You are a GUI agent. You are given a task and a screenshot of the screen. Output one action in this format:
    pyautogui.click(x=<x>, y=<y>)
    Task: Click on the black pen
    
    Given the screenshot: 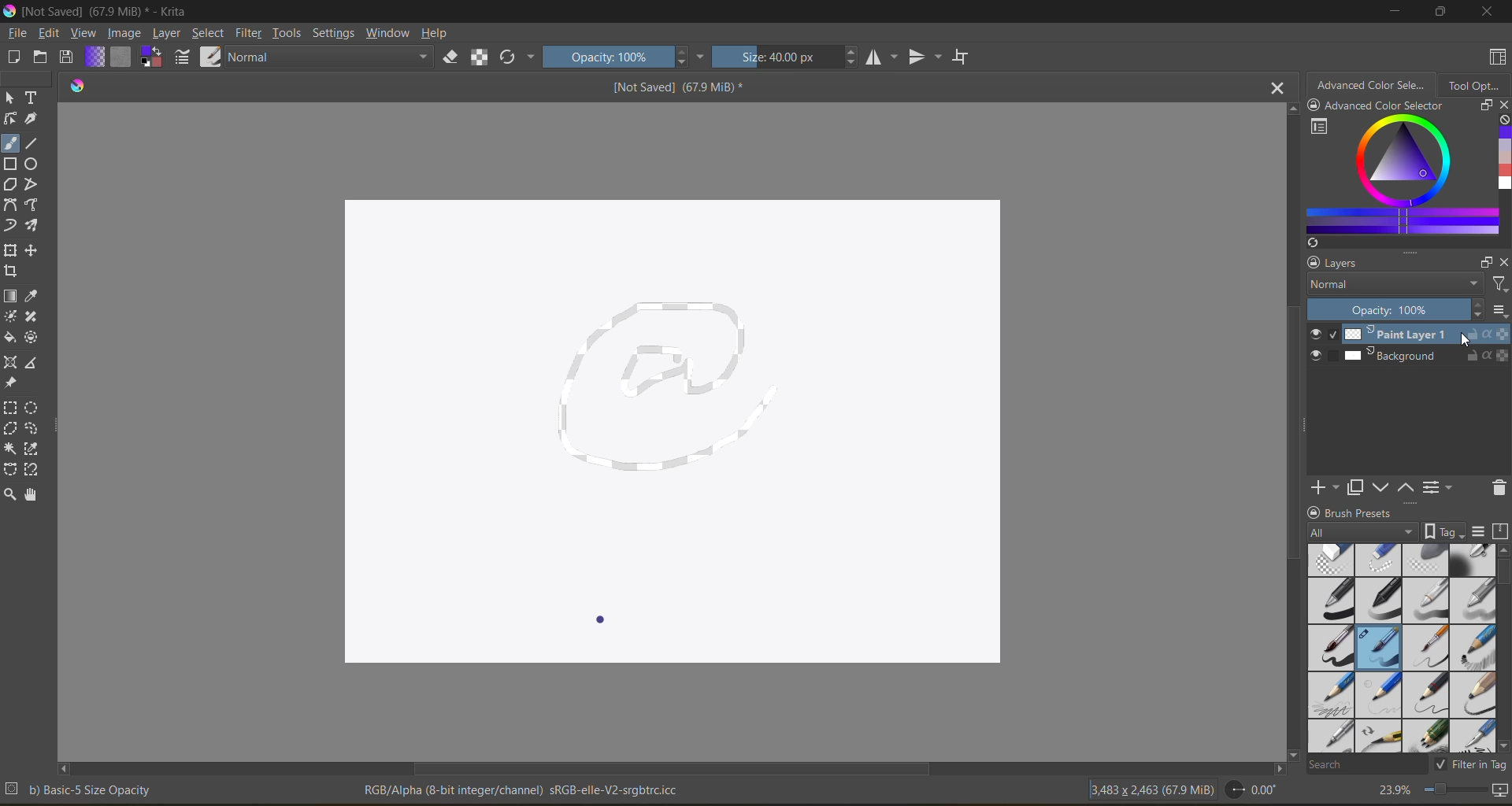 What is the action you would take?
    pyautogui.click(x=1331, y=601)
    